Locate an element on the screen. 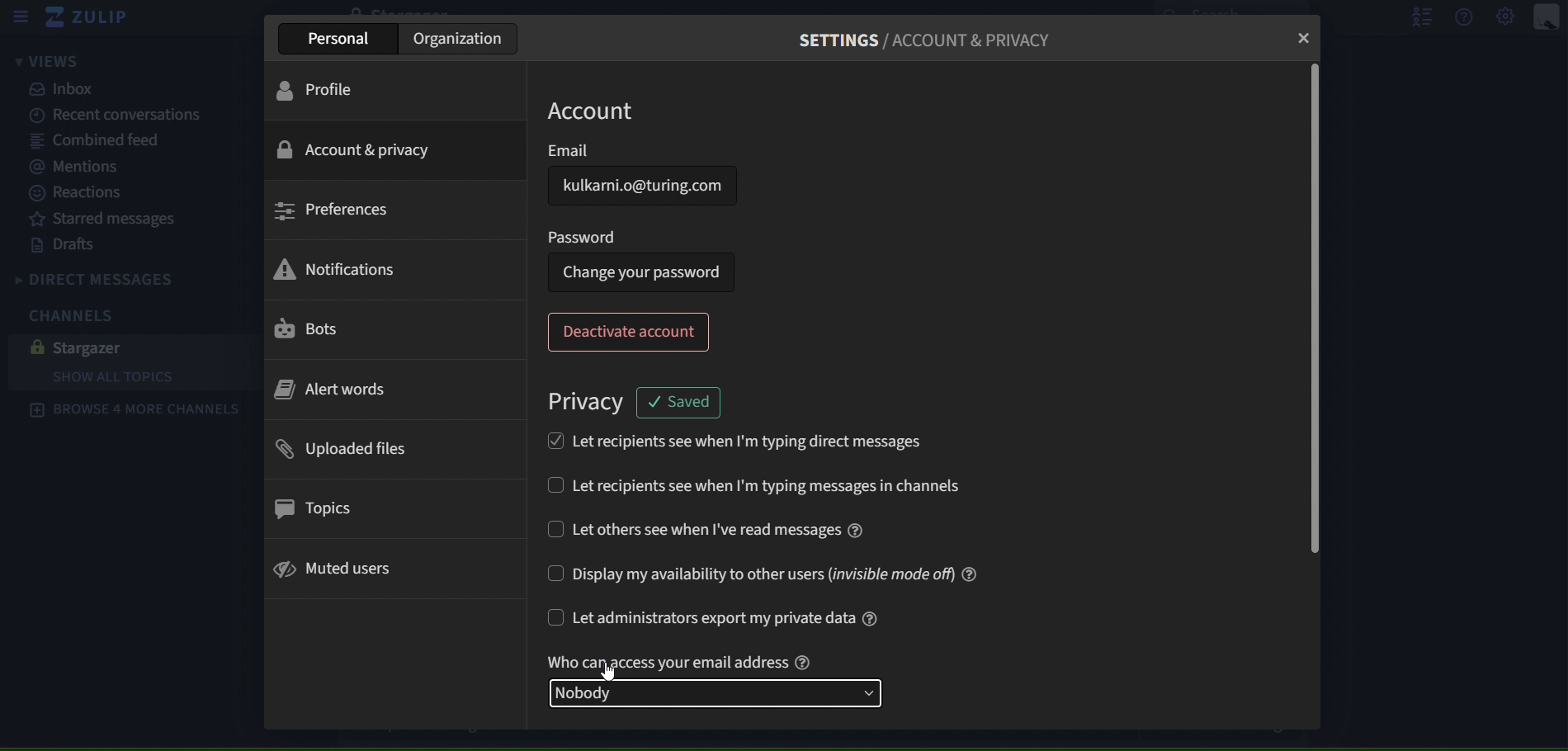 The width and height of the screenshot is (1568, 751). privacy is located at coordinates (588, 402).